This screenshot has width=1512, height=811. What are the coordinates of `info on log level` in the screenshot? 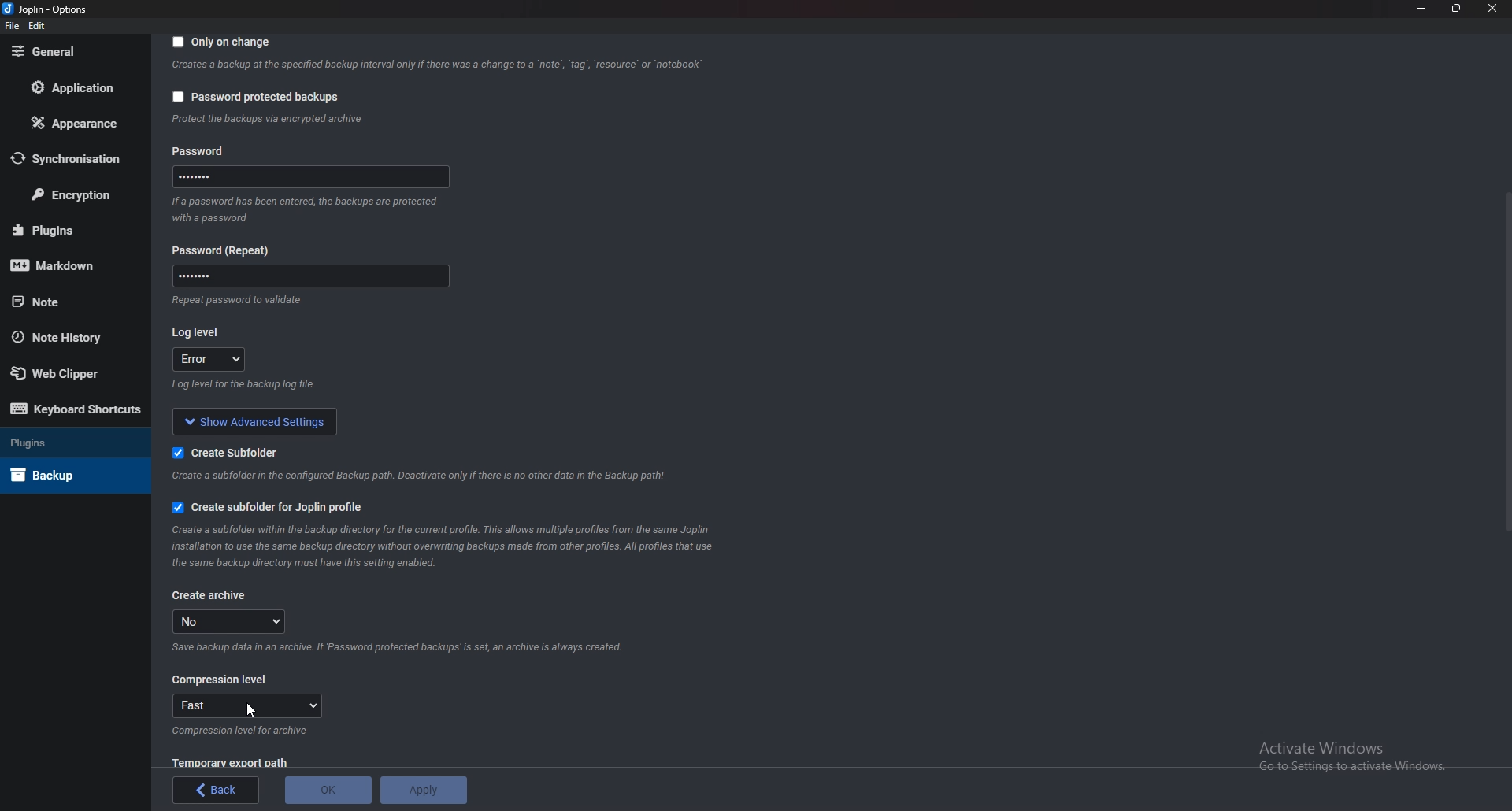 It's located at (245, 385).